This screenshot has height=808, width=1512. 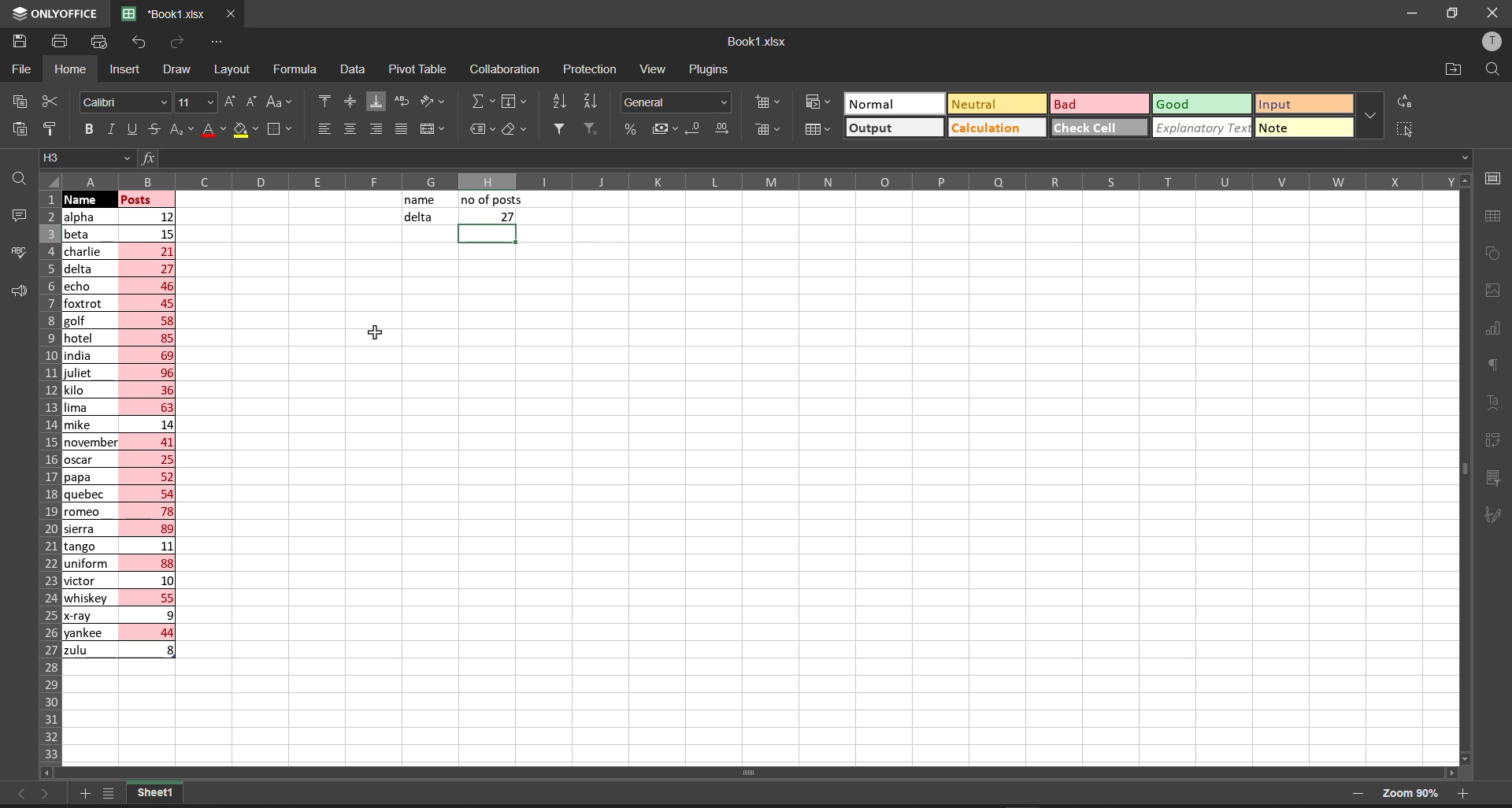 What do you see at coordinates (212, 129) in the screenshot?
I see `font color` at bounding box center [212, 129].